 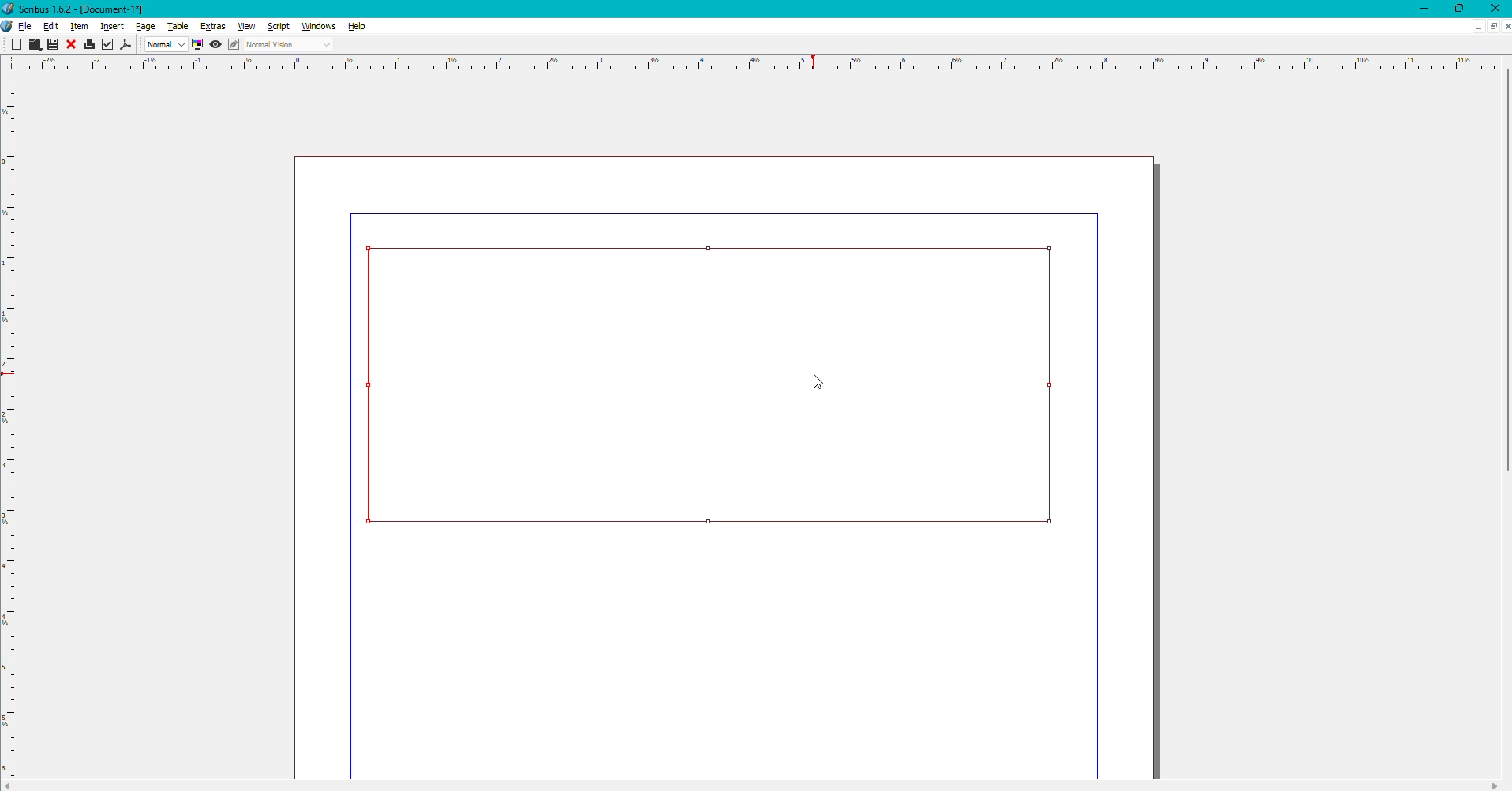 What do you see at coordinates (107, 44) in the screenshot?
I see `Check` at bounding box center [107, 44].